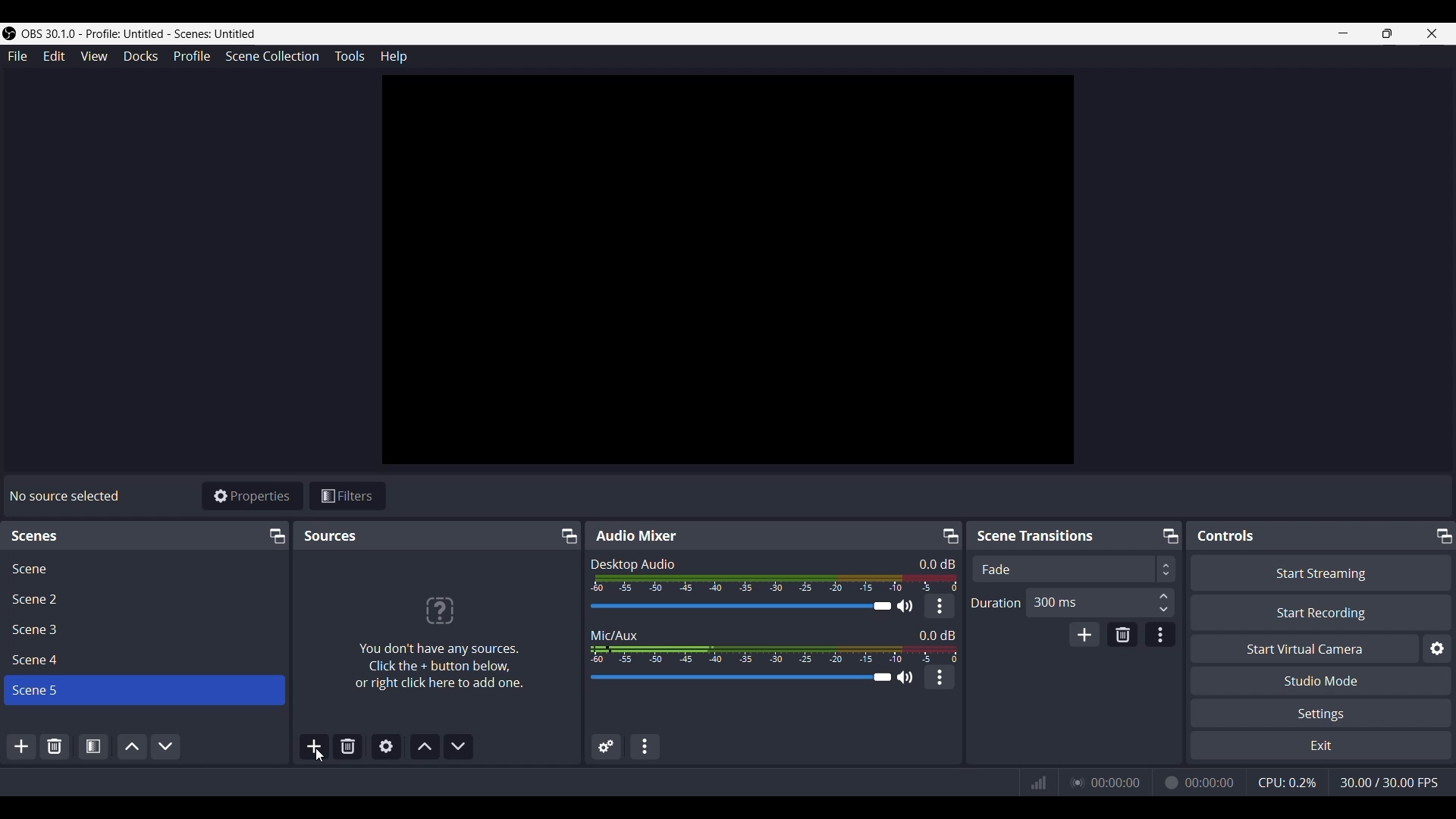 This screenshot has width=1456, height=819. Describe the element at coordinates (140, 56) in the screenshot. I see `Docks` at that location.